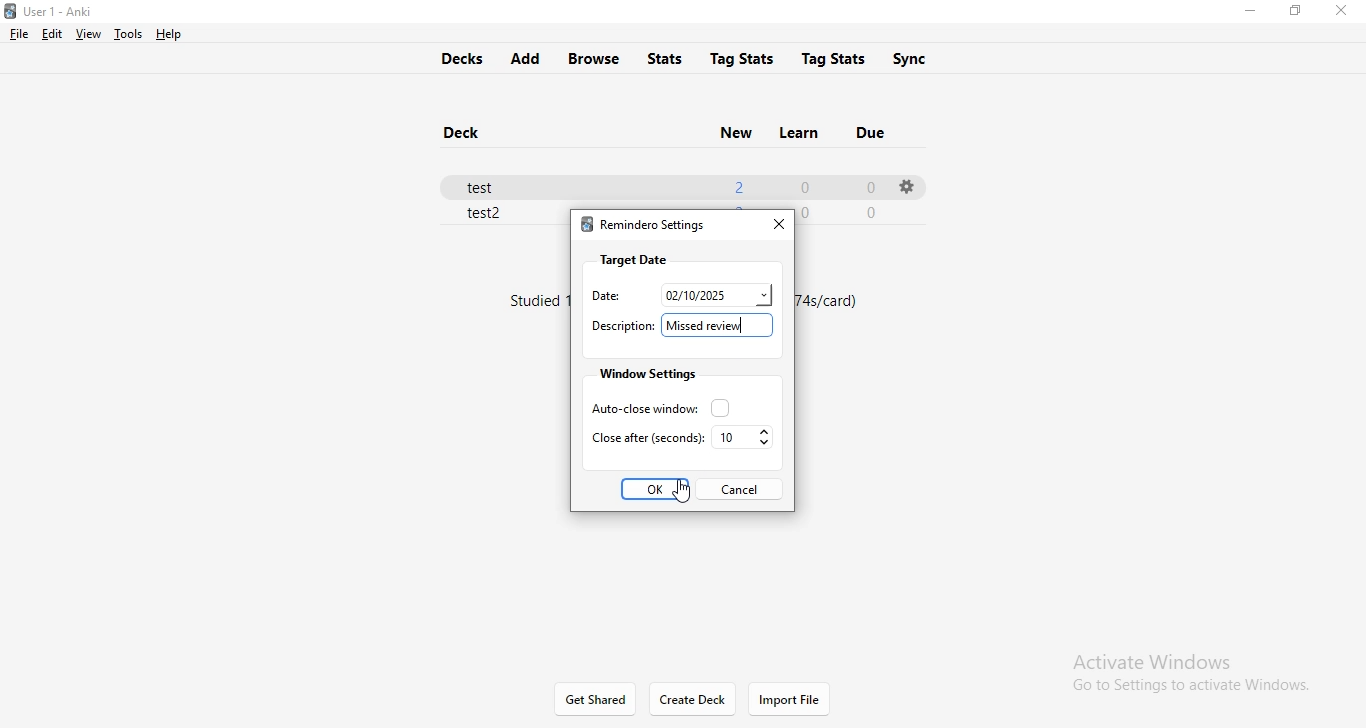 This screenshot has height=728, width=1366. Describe the element at coordinates (835, 301) in the screenshot. I see `text` at that location.